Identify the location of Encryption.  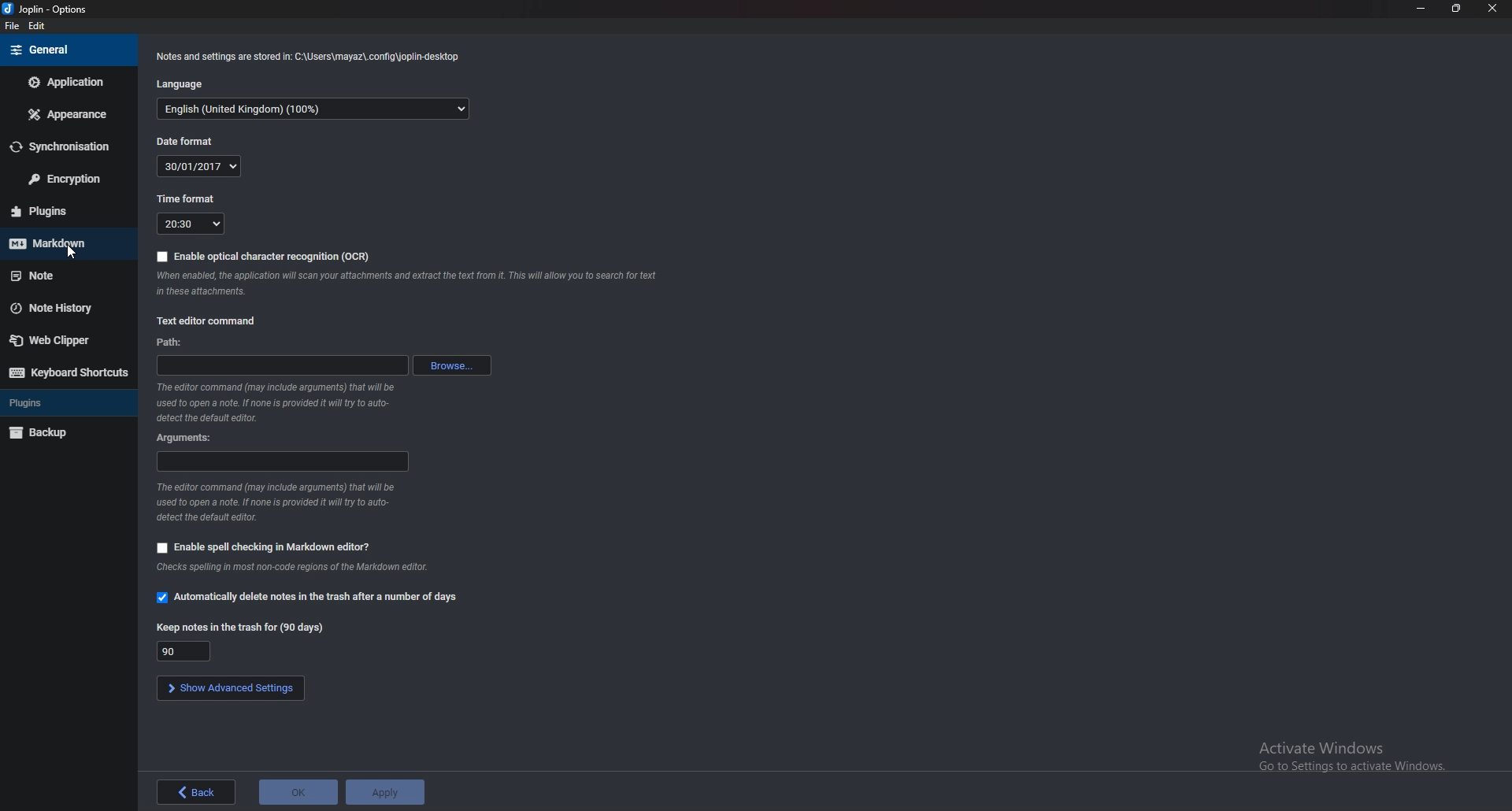
(69, 179).